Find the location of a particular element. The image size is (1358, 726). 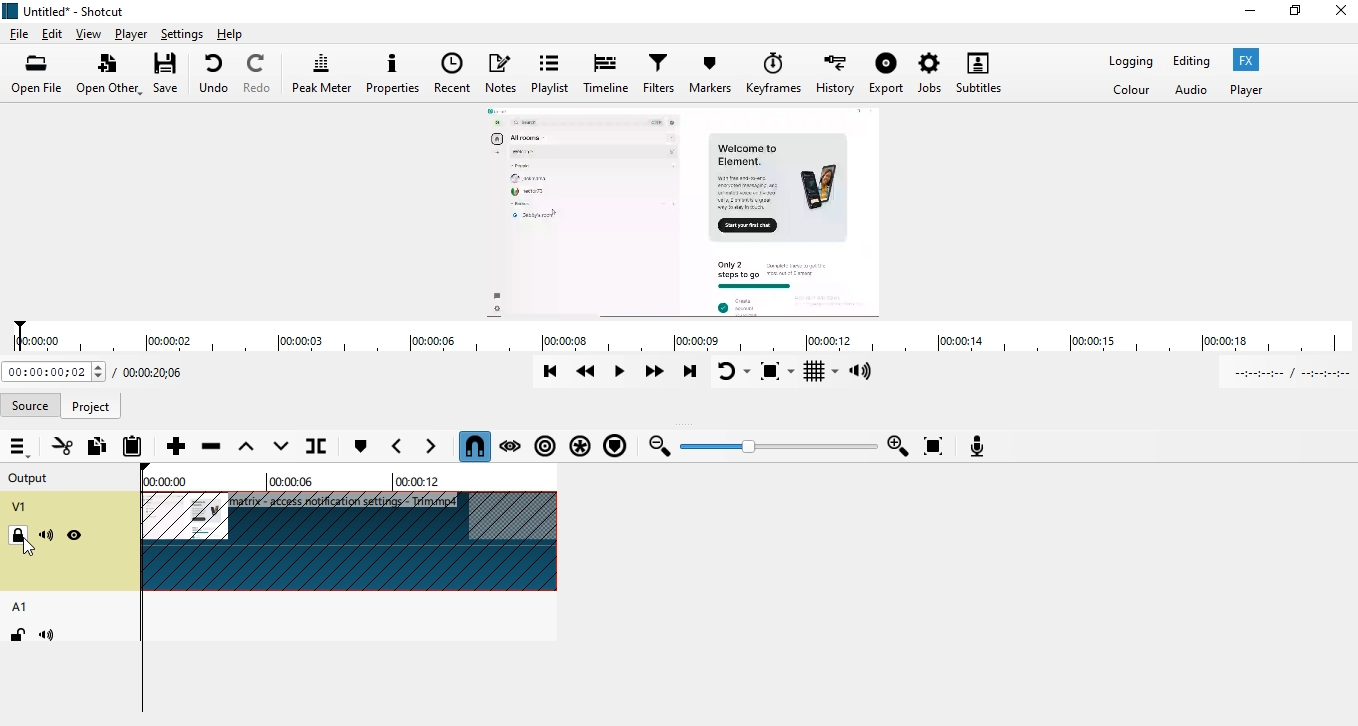

Toggle play or pause is located at coordinates (621, 373).